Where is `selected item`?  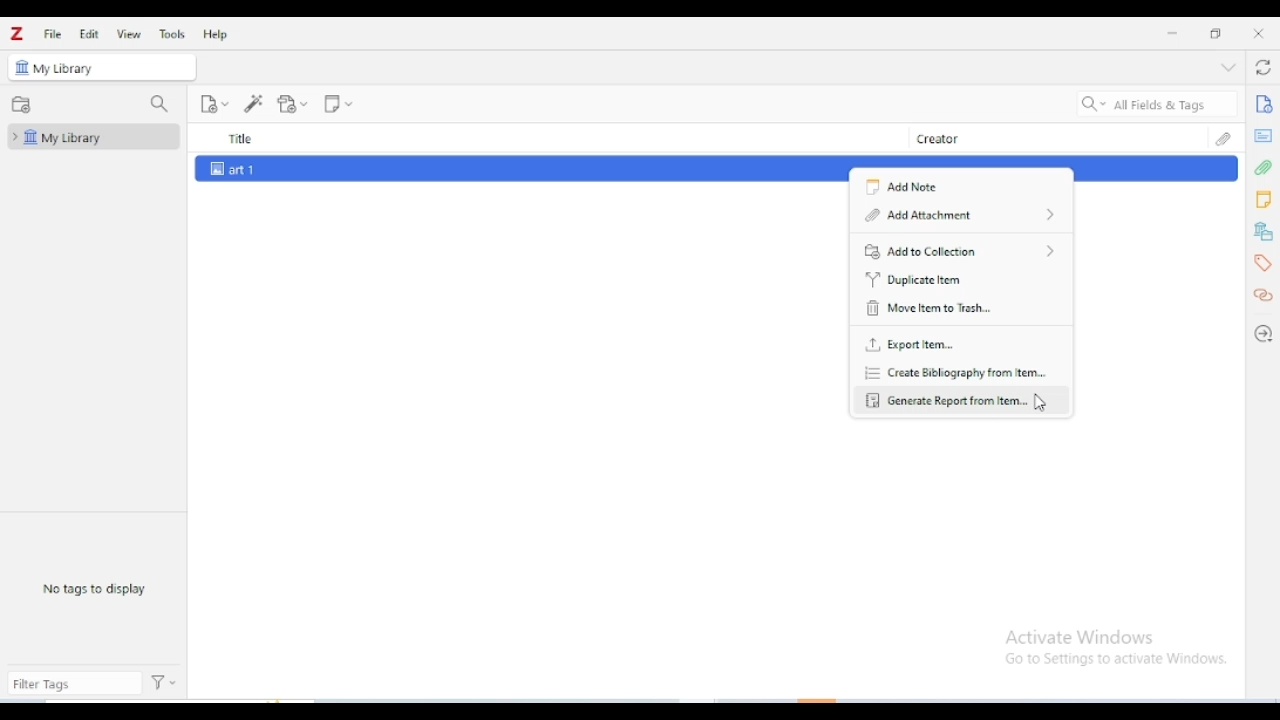 selected item is located at coordinates (498, 169).